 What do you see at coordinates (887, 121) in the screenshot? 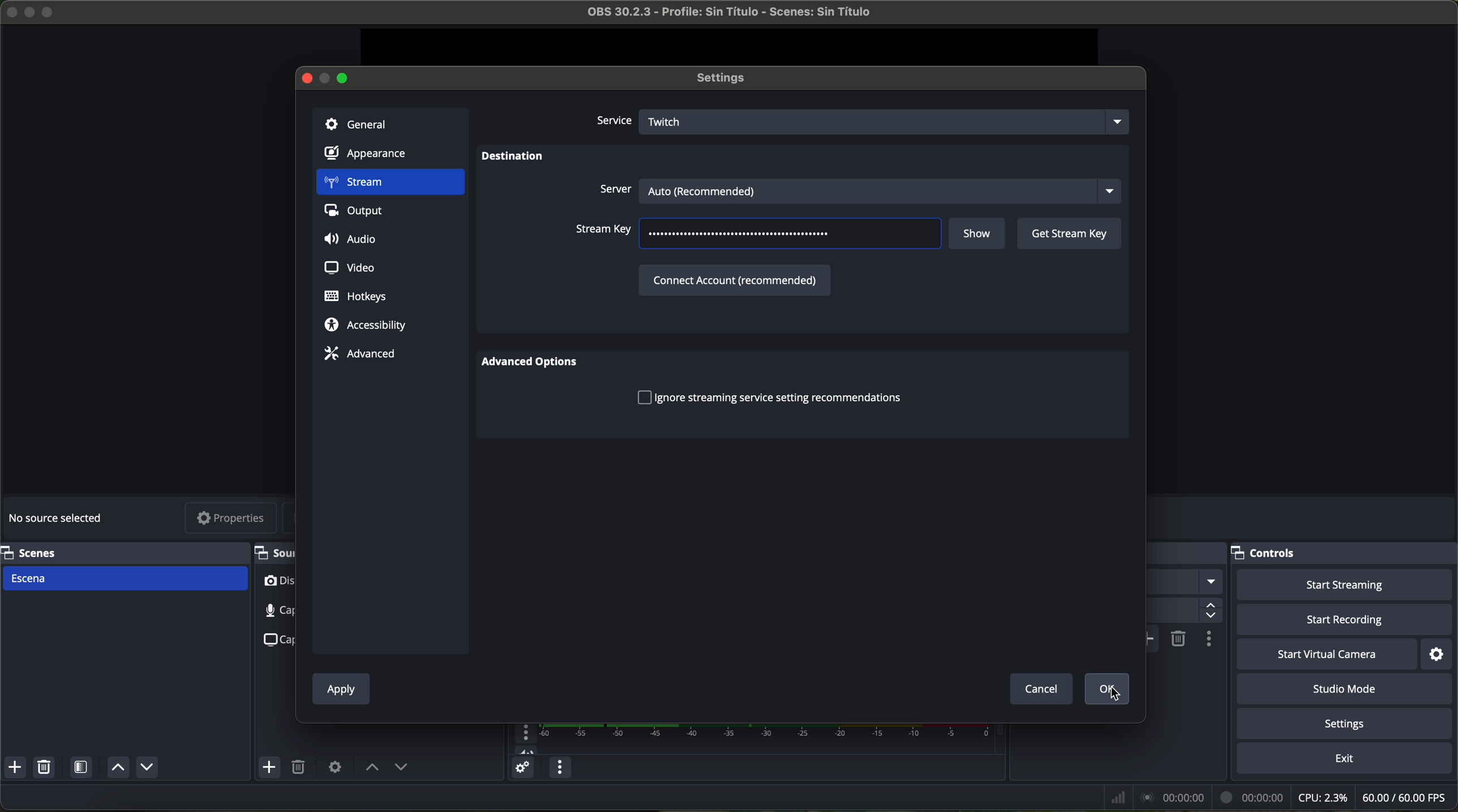
I see `Twitch` at bounding box center [887, 121].